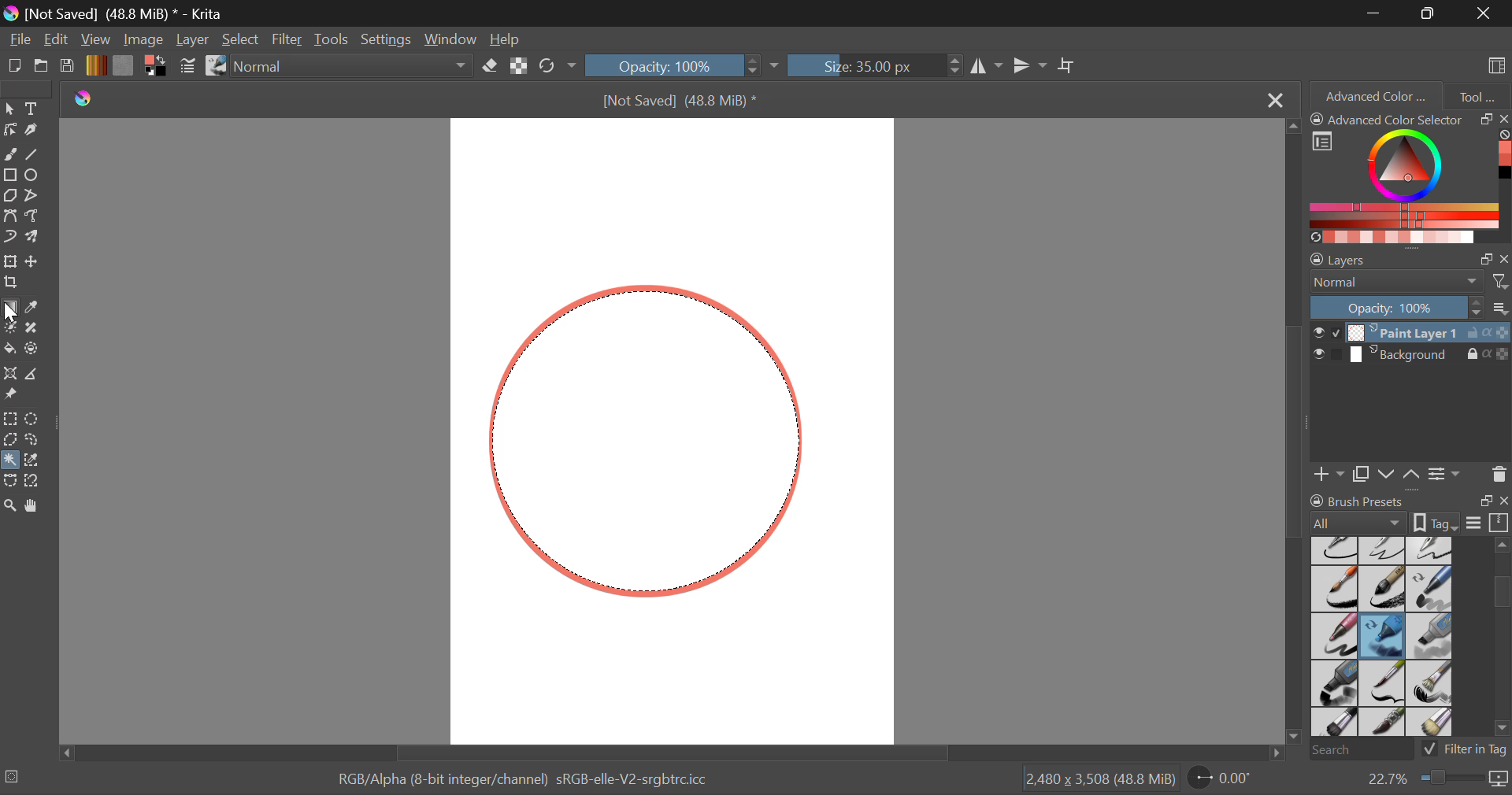 The height and width of the screenshot is (795, 1512). I want to click on Close, so click(1273, 101).